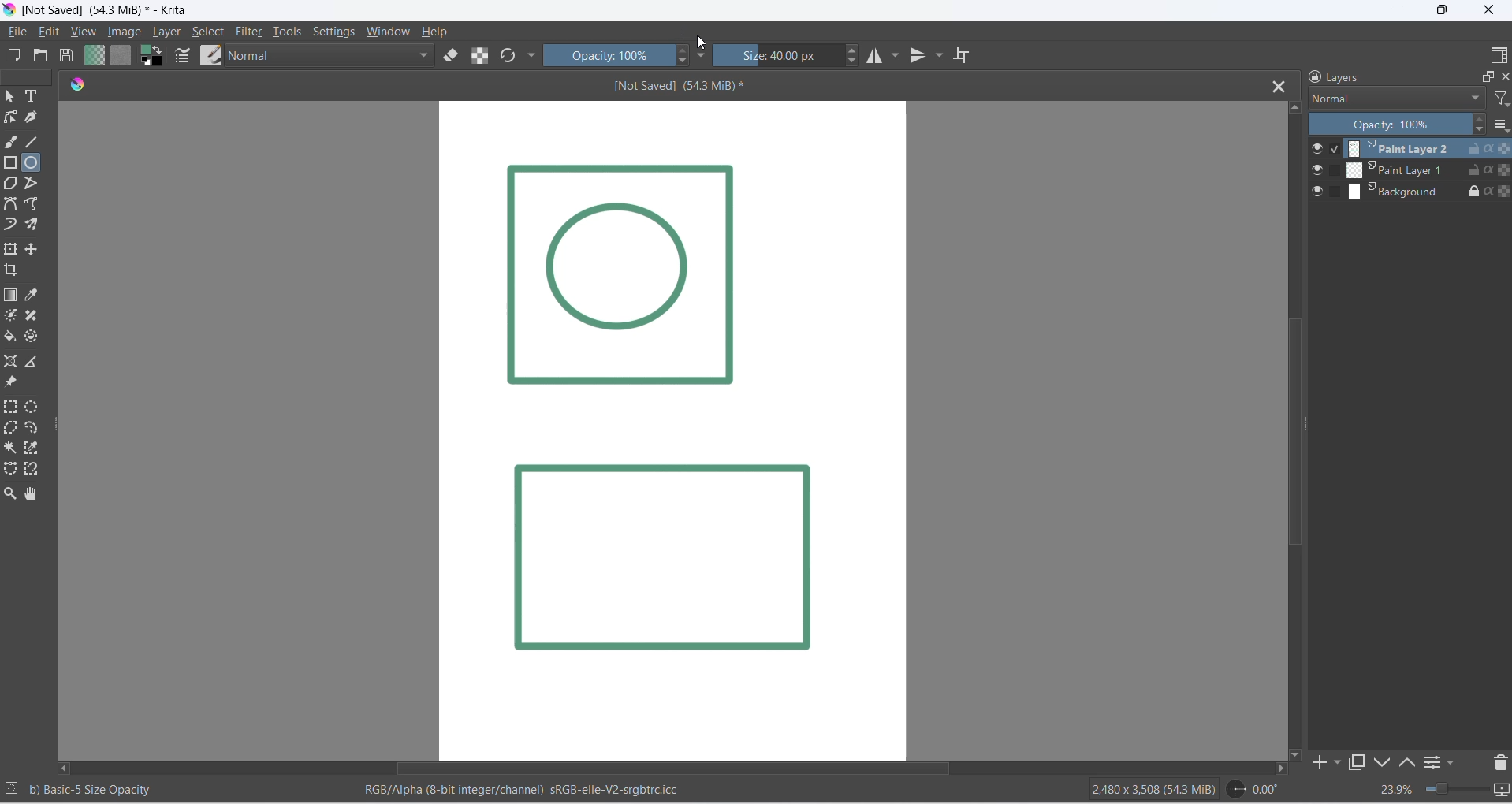 This screenshot has height=804, width=1512. I want to click on save, so click(70, 56).